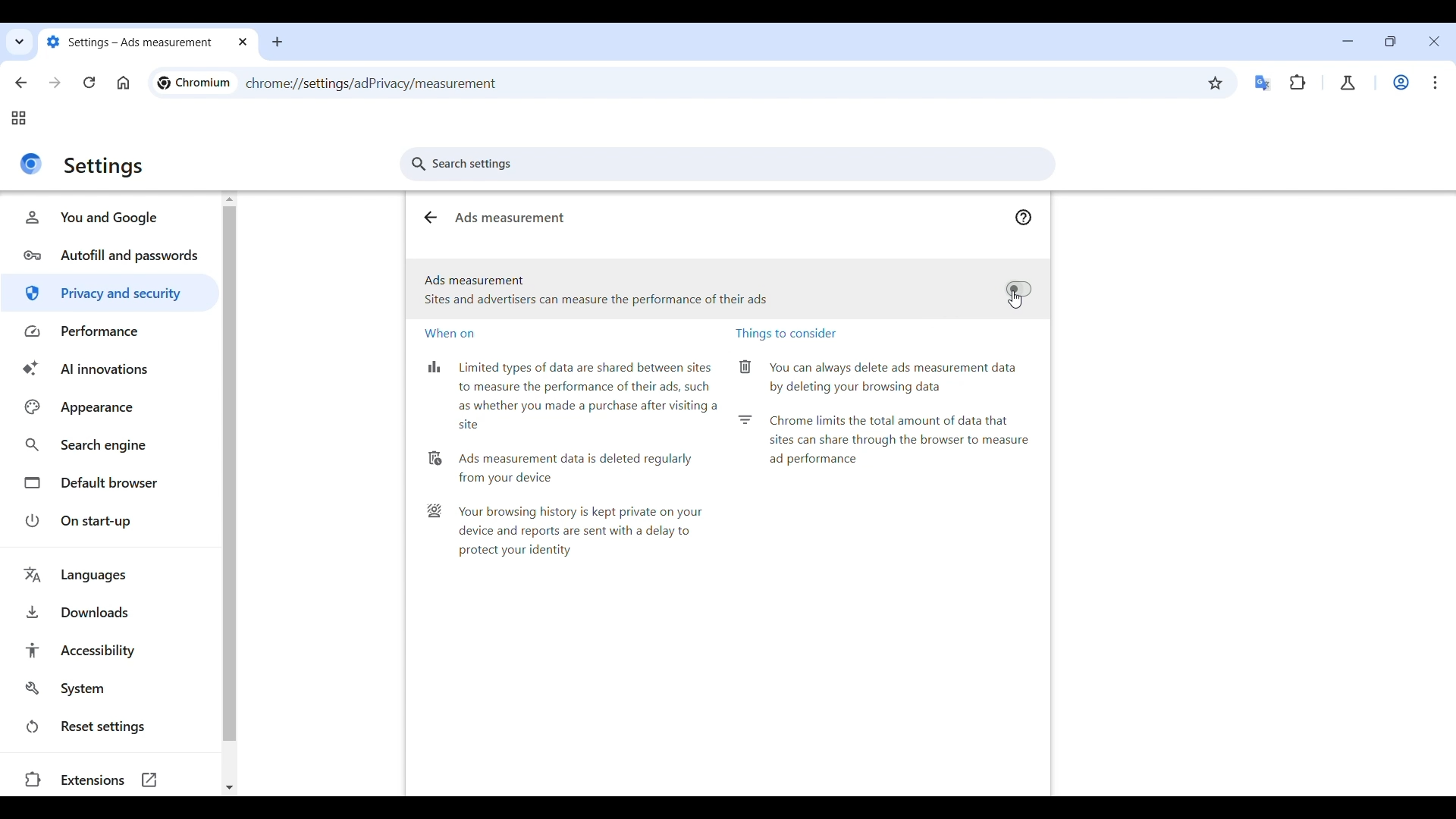 This screenshot has width=1456, height=819. Describe the element at coordinates (1263, 83) in the screenshot. I see `Google translator extension` at that location.